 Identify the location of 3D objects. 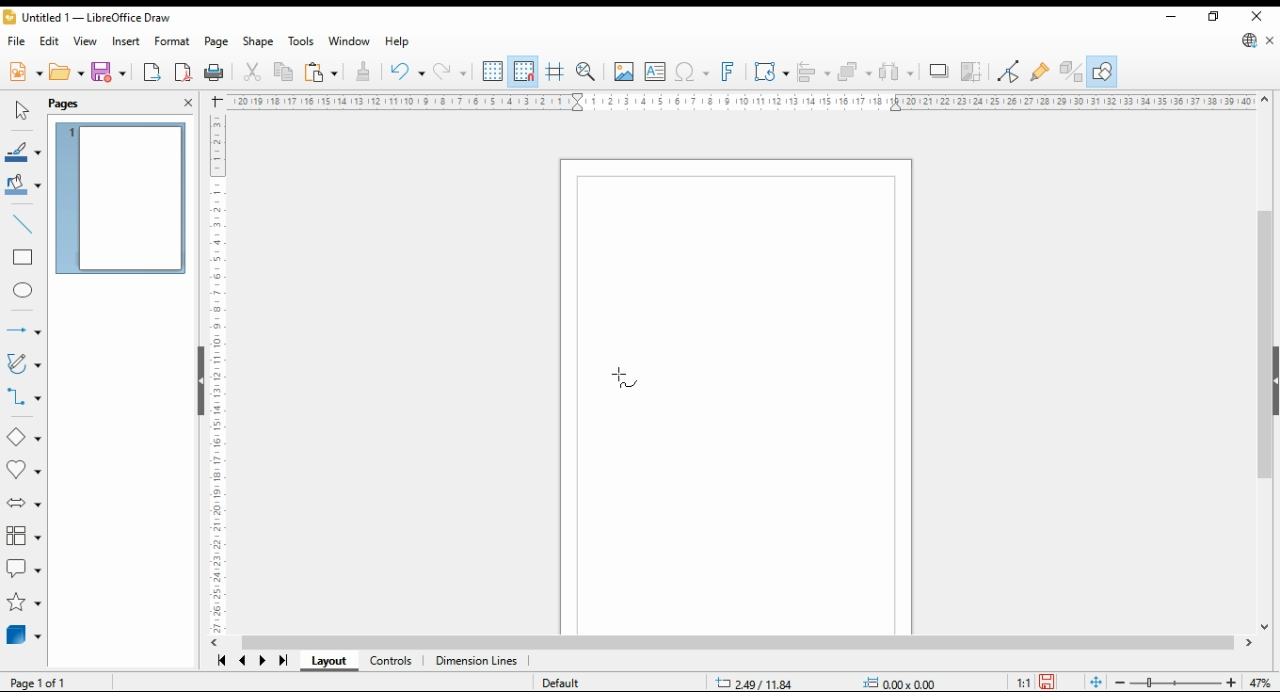
(23, 637).